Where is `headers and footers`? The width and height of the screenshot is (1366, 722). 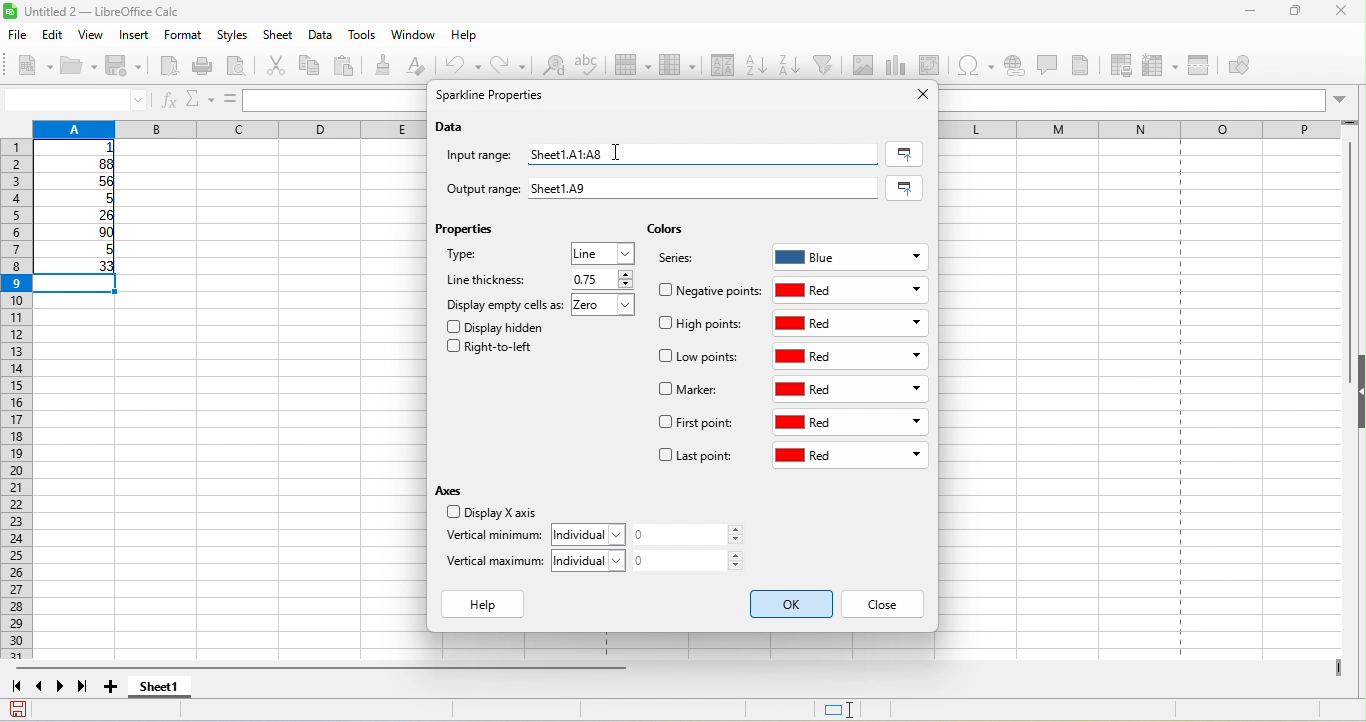
headers and footers is located at coordinates (1086, 65).